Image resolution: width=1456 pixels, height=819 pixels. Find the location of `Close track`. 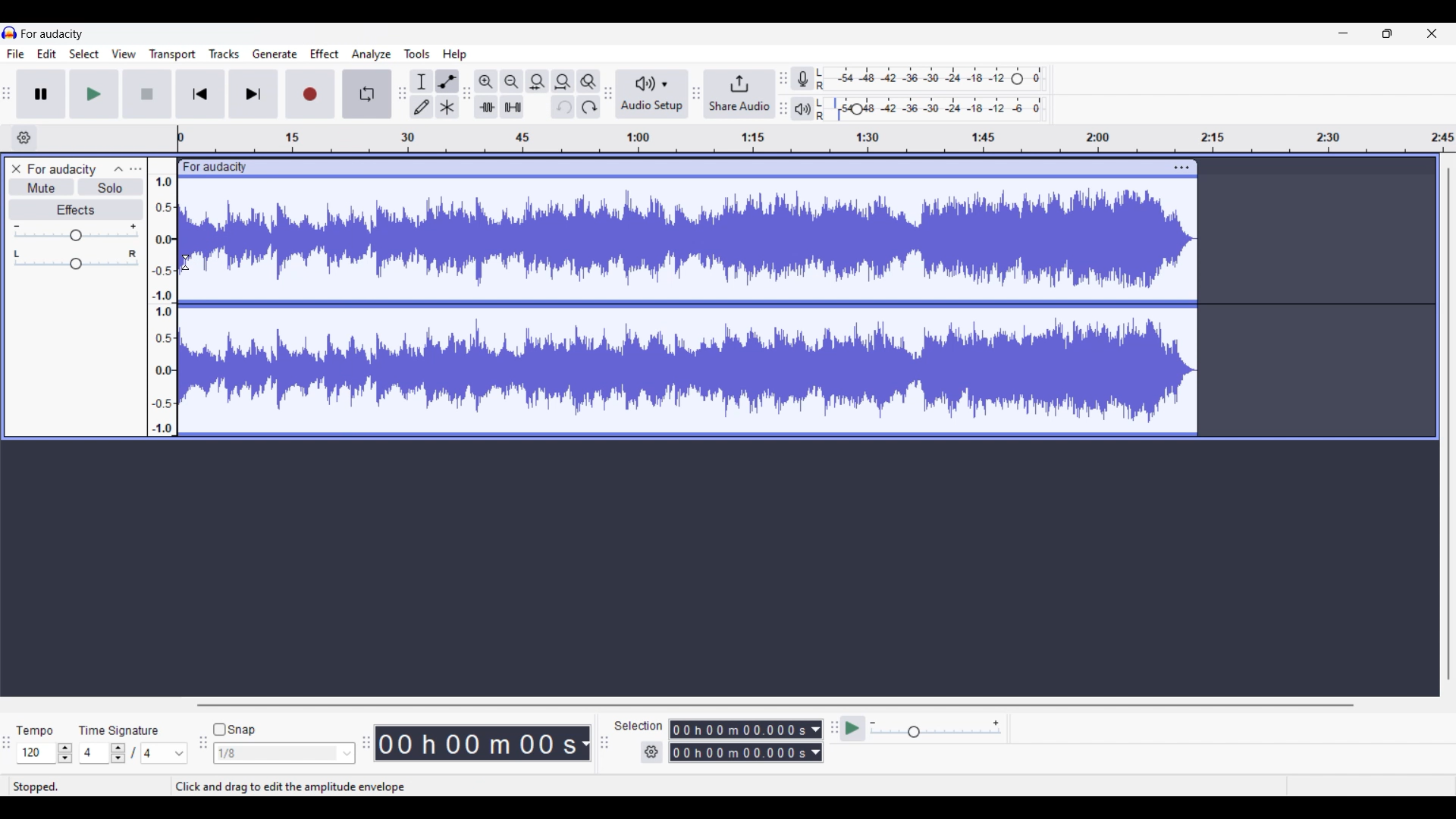

Close track is located at coordinates (17, 168).